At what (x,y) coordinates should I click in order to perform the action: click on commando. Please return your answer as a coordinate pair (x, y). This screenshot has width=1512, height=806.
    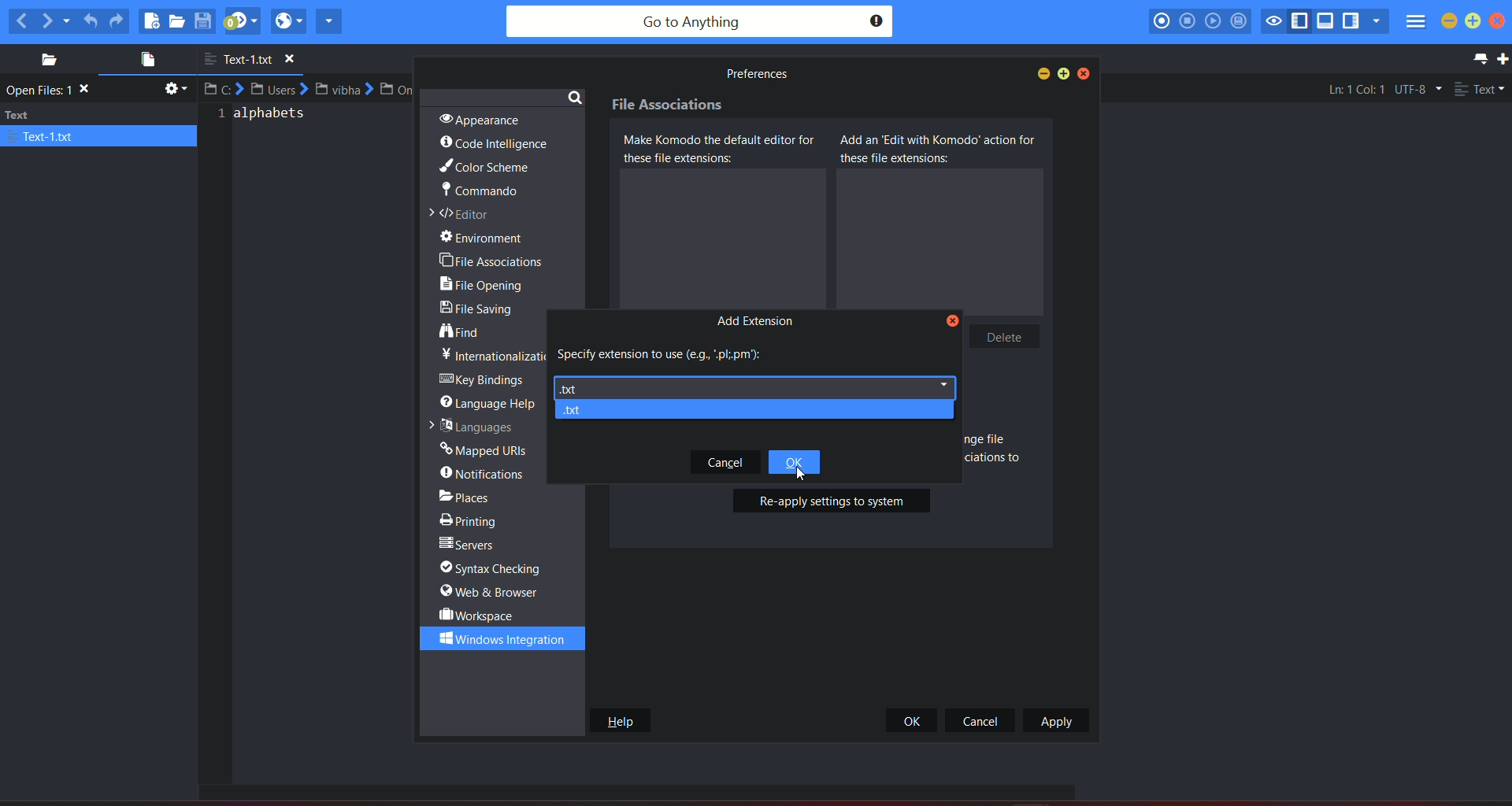
    Looking at the image, I should click on (479, 193).